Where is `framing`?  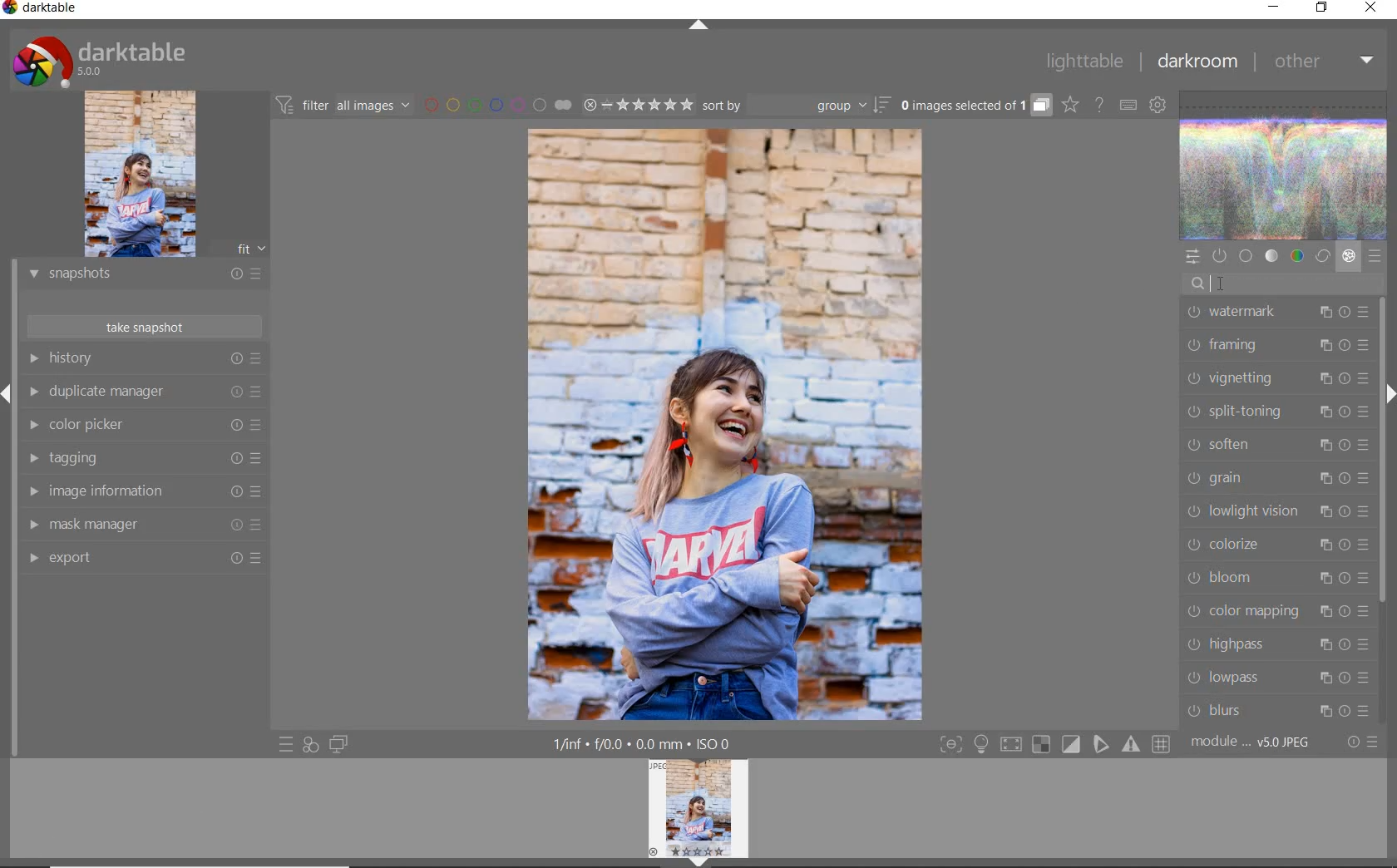 framing is located at coordinates (1277, 345).